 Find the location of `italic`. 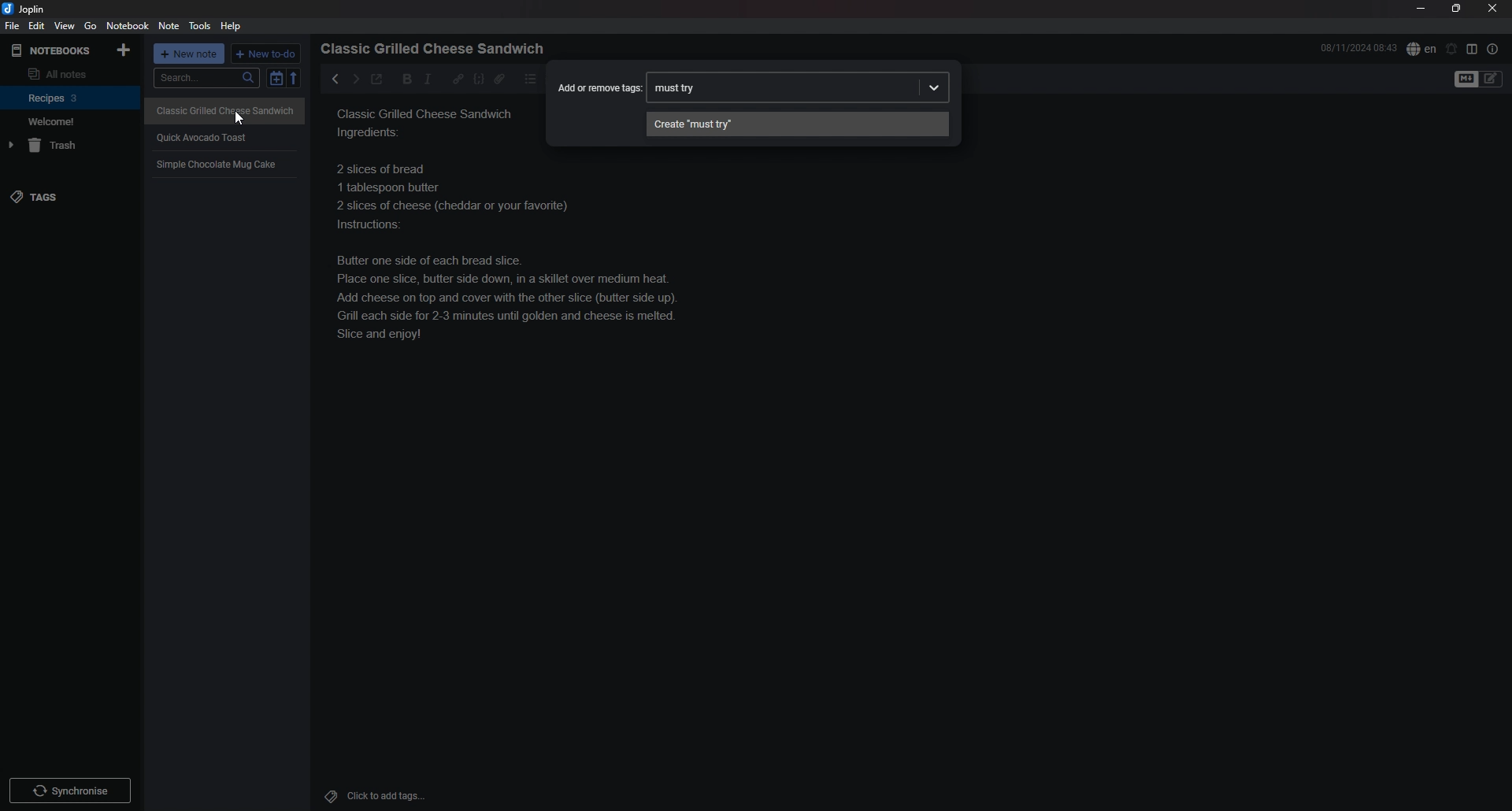

italic is located at coordinates (428, 79).